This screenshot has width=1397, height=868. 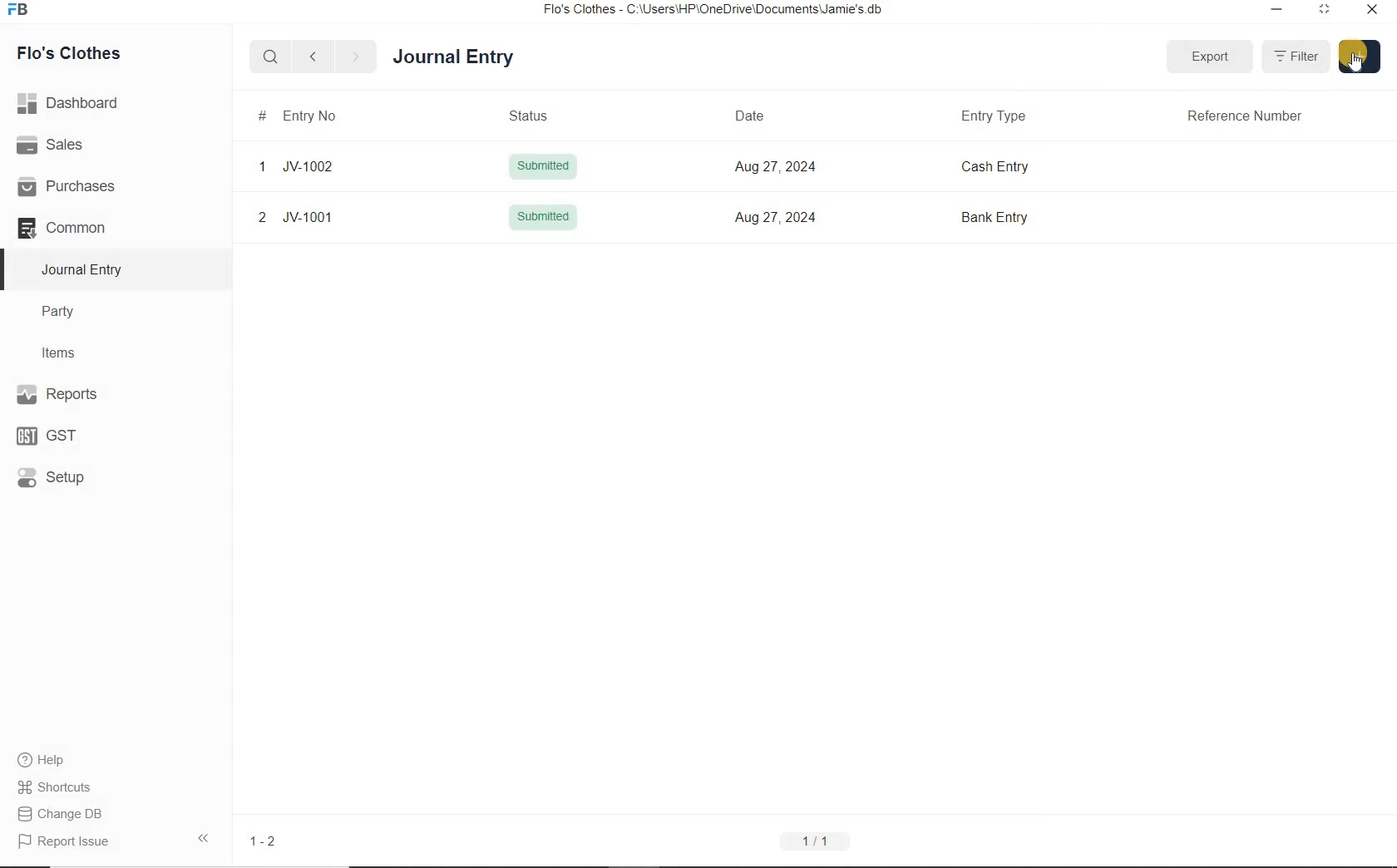 I want to click on Purchases, so click(x=74, y=185).